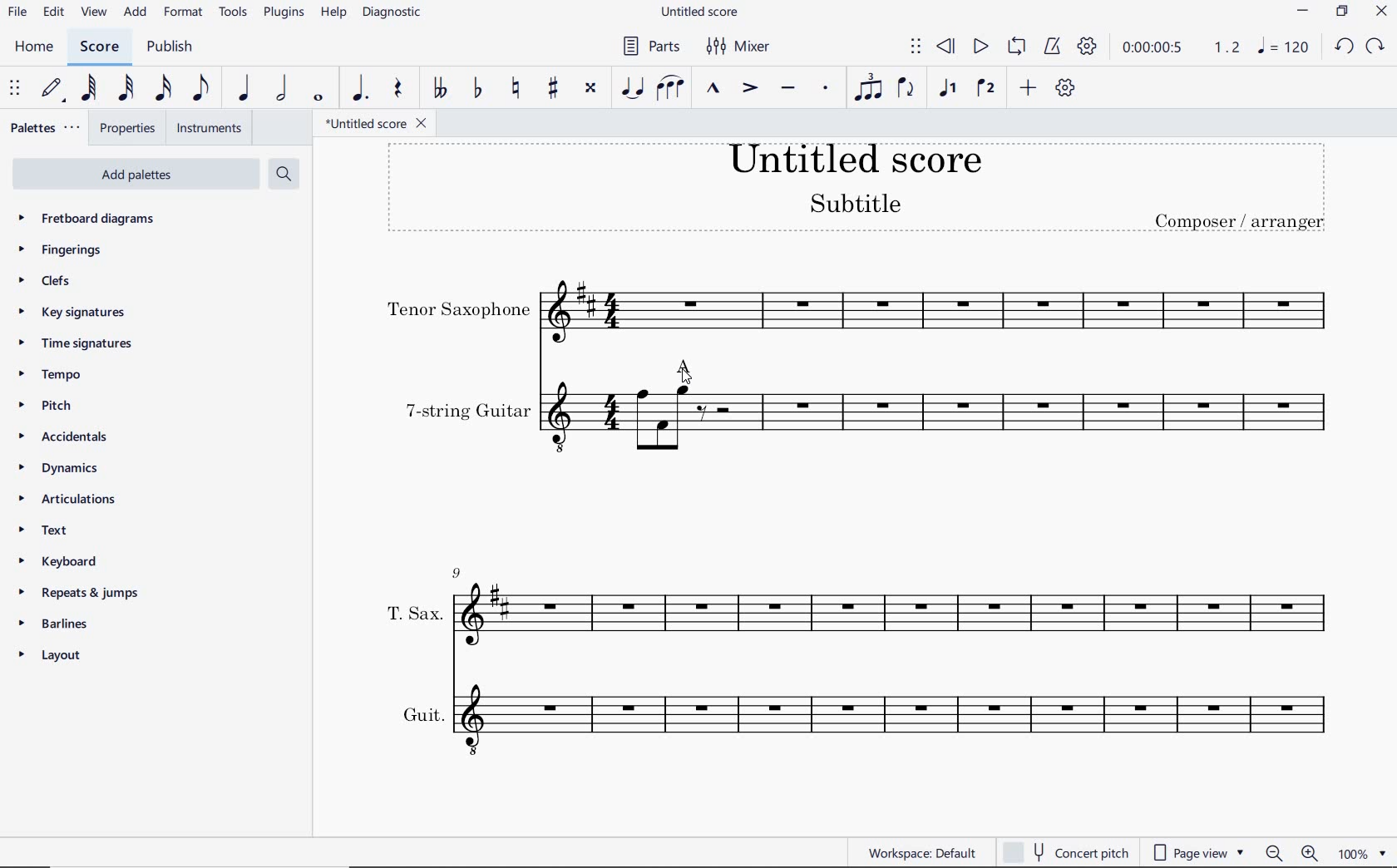 This screenshot has width=1397, height=868. Describe the element at coordinates (374, 124) in the screenshot. I see `FILE NAME` at that location.